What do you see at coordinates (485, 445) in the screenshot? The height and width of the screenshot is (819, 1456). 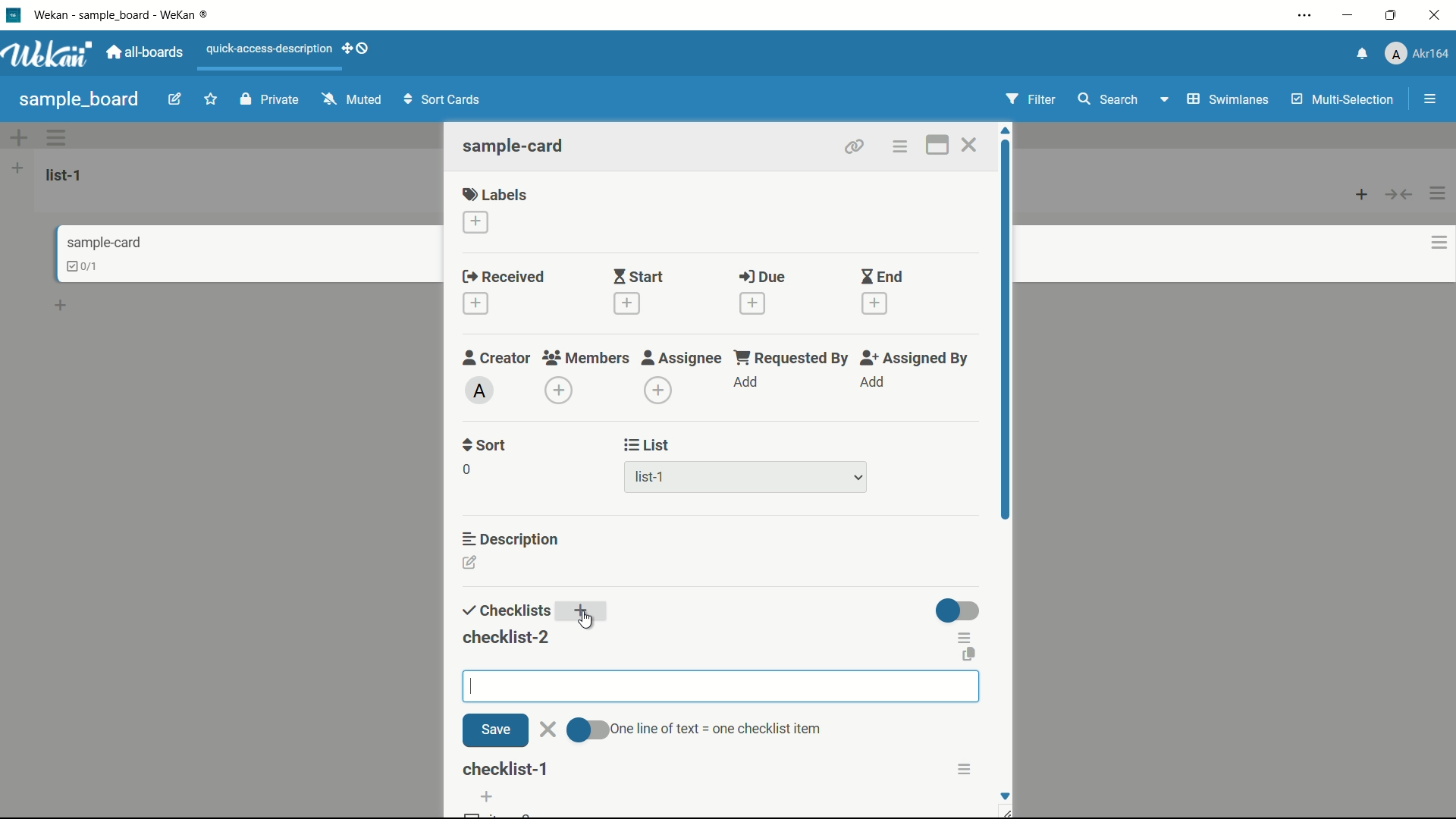 I see `sort` at bounding box center [485, 445].